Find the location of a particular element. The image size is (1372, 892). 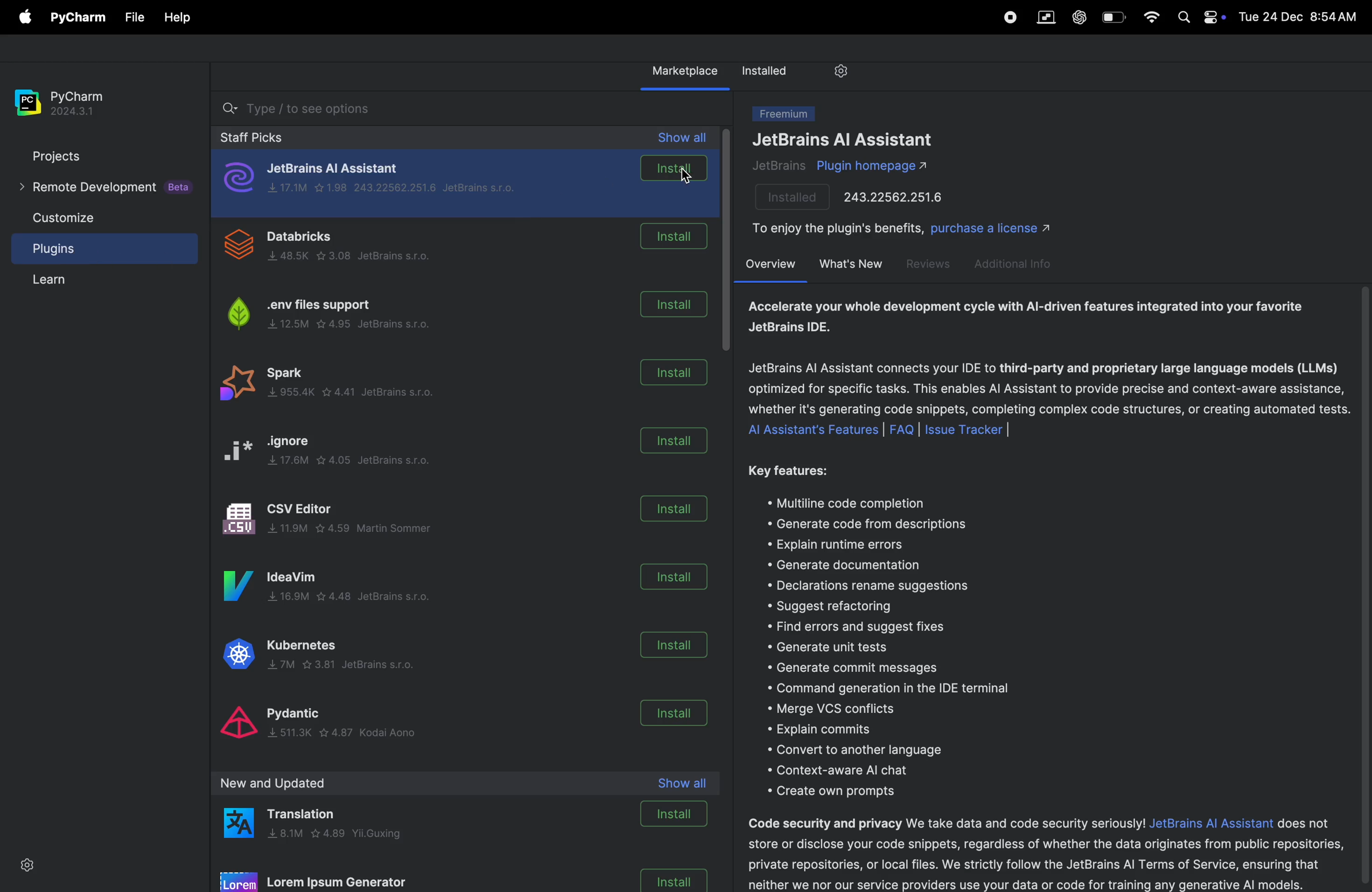

features lists is located at coordinates (891, 647).